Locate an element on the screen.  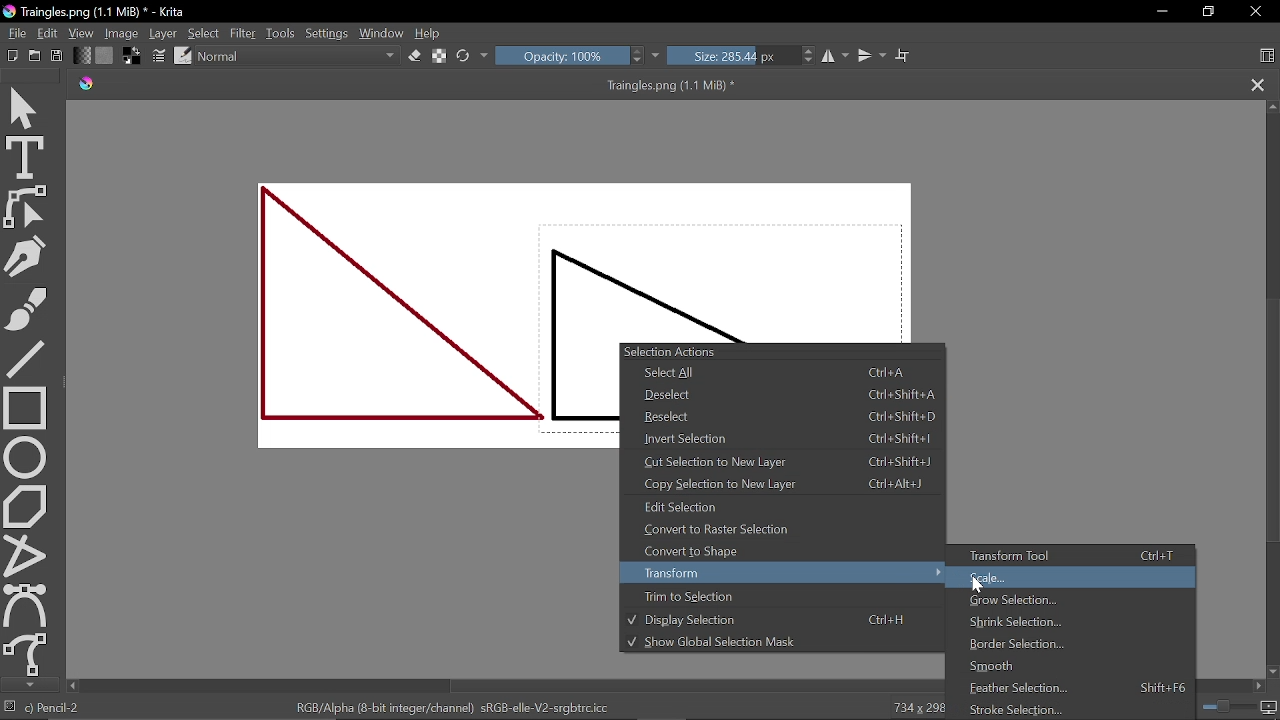
Copy selection to new layer is located at coordinates (785, 484).